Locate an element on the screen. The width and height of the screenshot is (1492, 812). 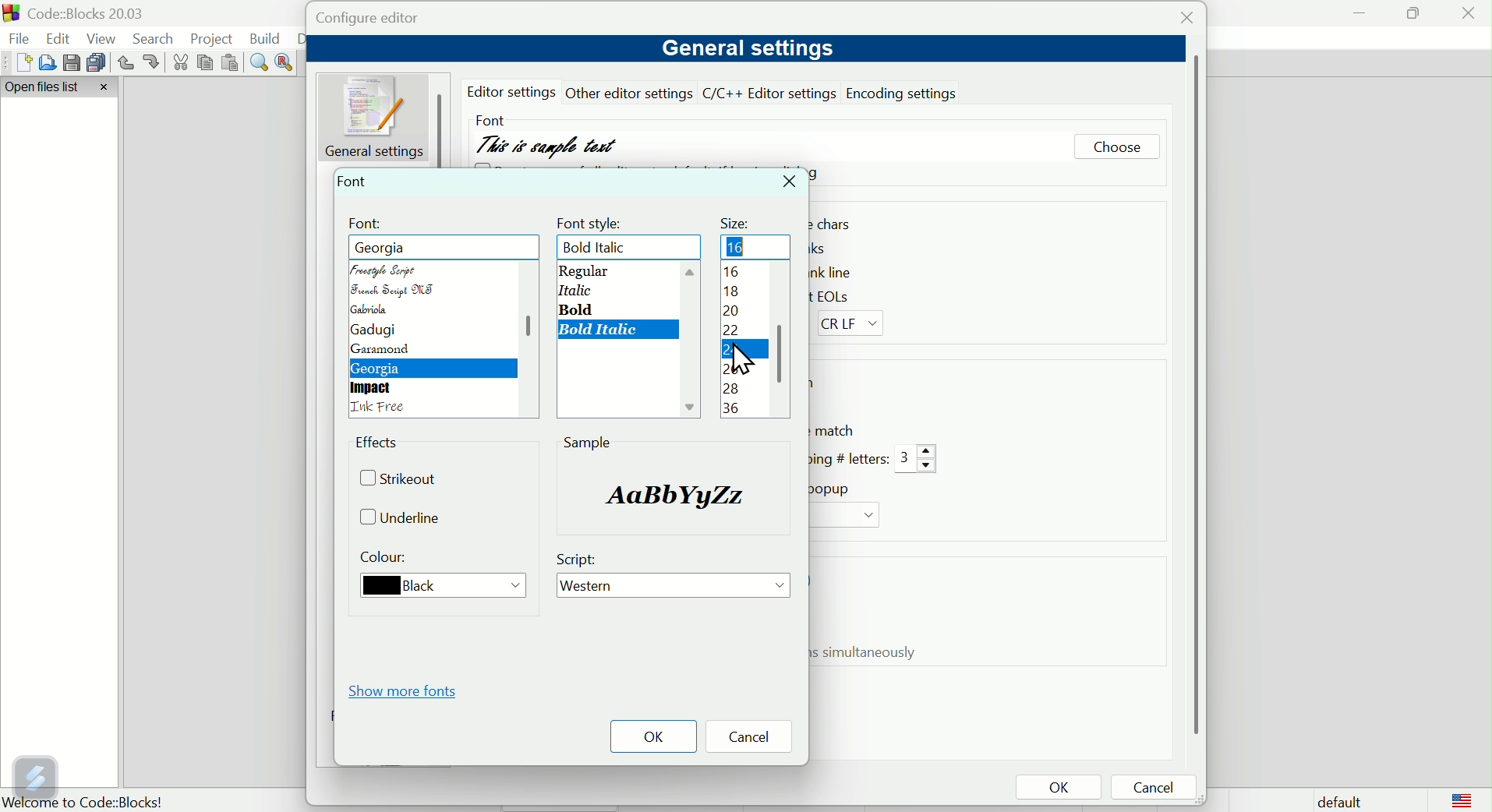
26 is located at coordinates (730, 369).